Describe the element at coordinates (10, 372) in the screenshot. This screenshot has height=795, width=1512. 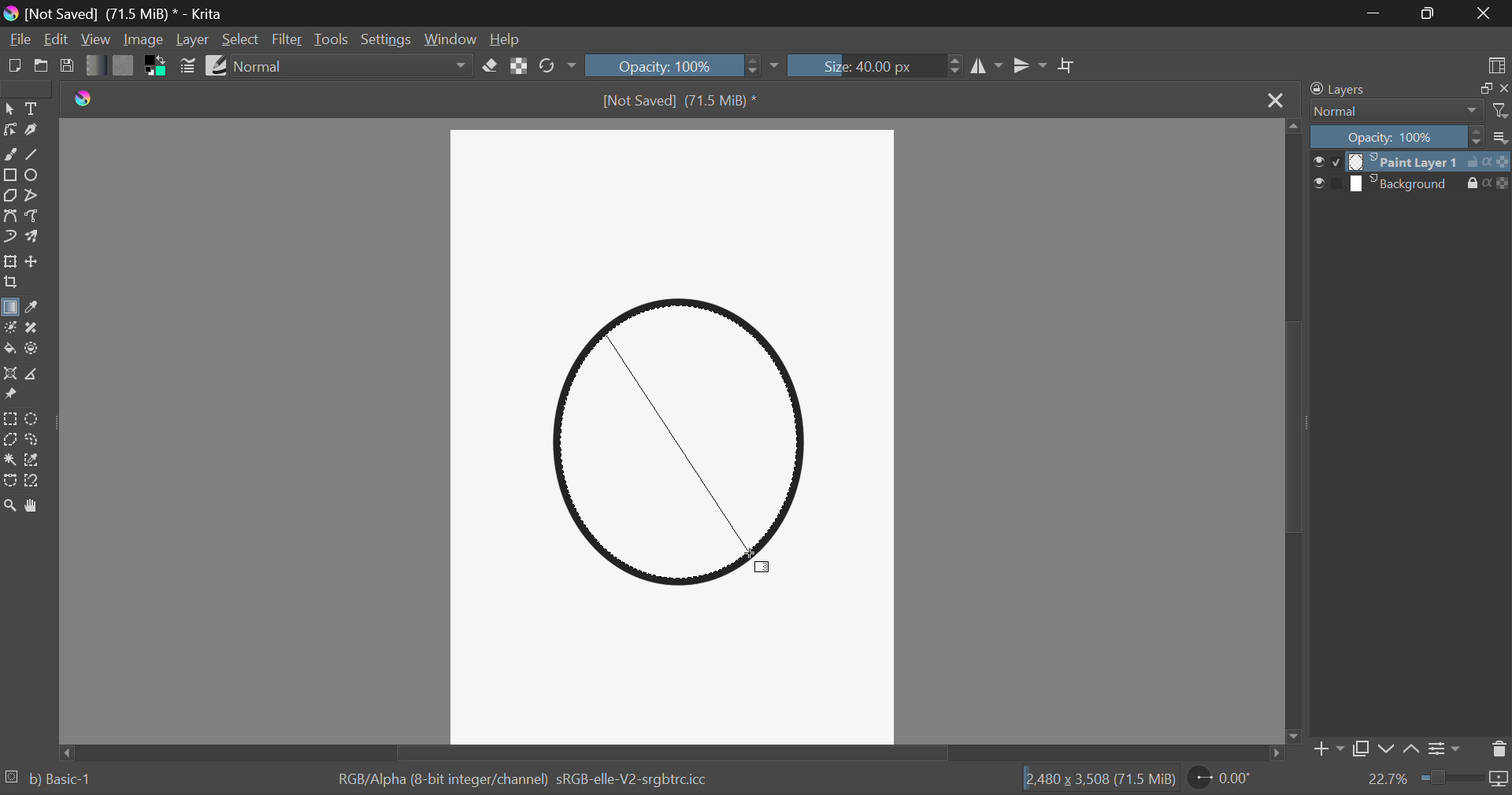
I see `Assistant Tool` at that location.